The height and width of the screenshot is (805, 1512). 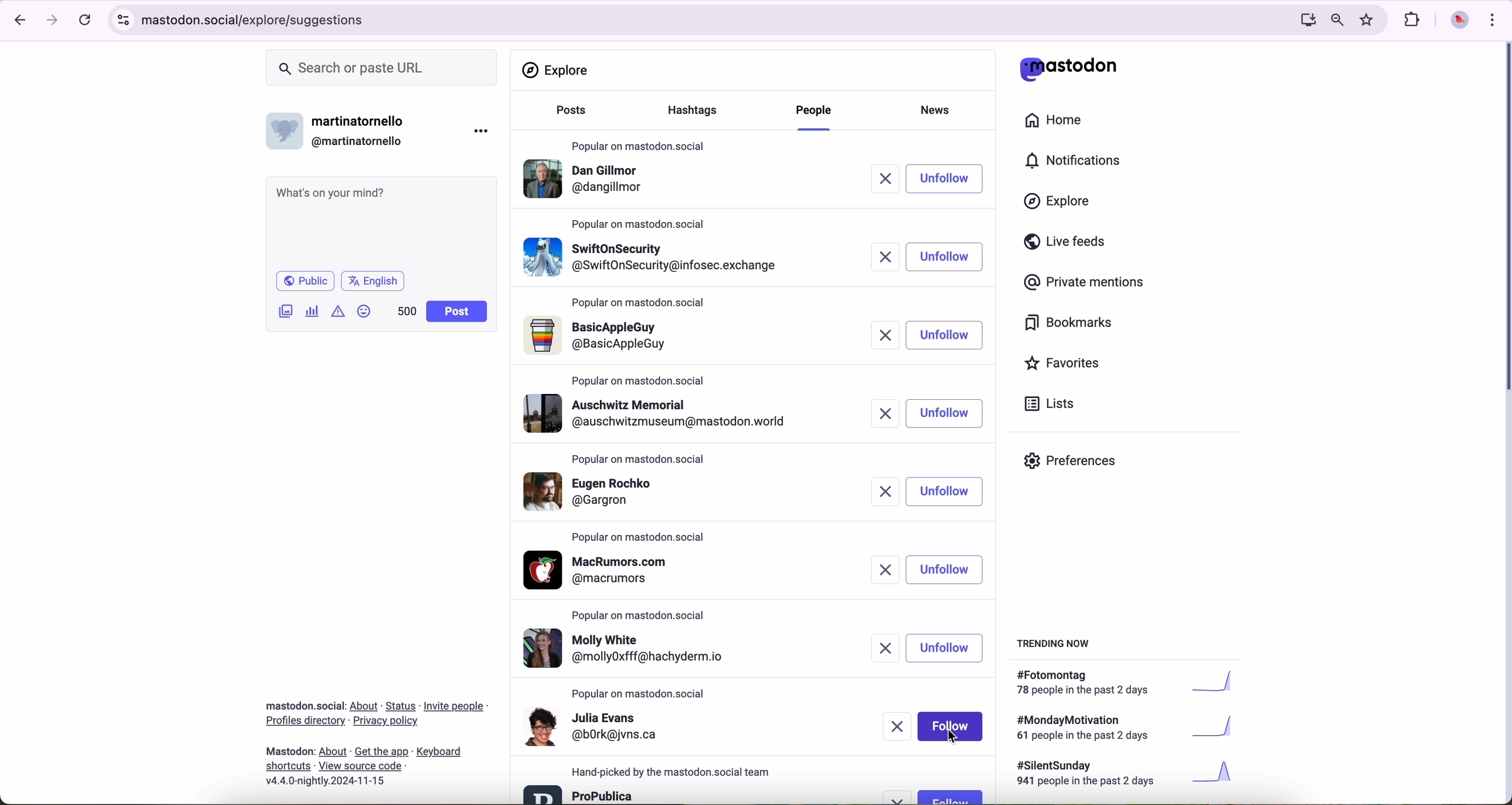 I want to click on #fotomontag, so click(x=1133, y=683).